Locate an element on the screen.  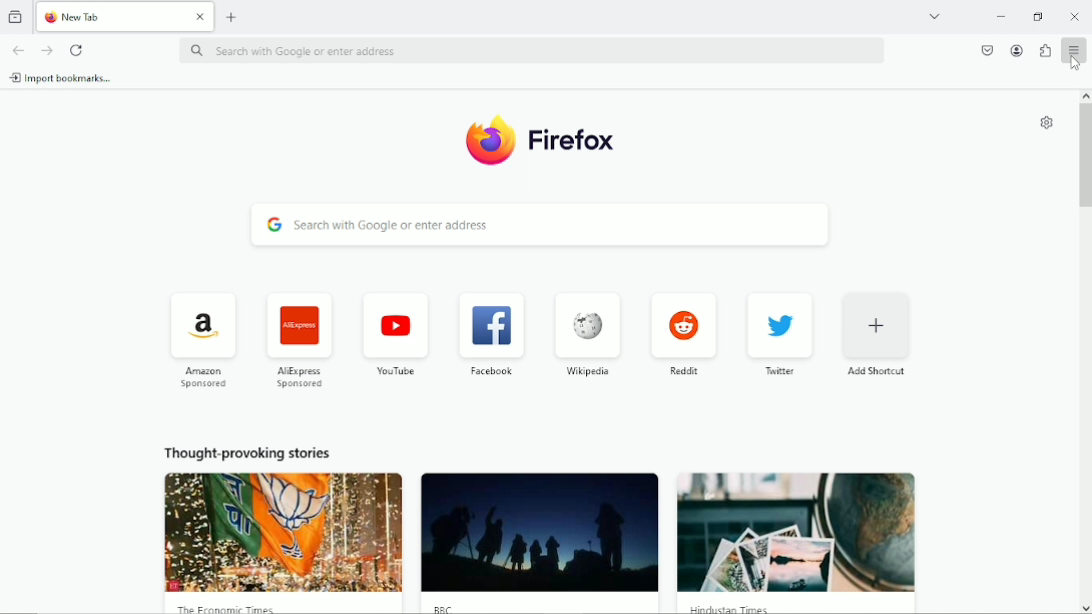
Logo is located at coordinates (487, 138).